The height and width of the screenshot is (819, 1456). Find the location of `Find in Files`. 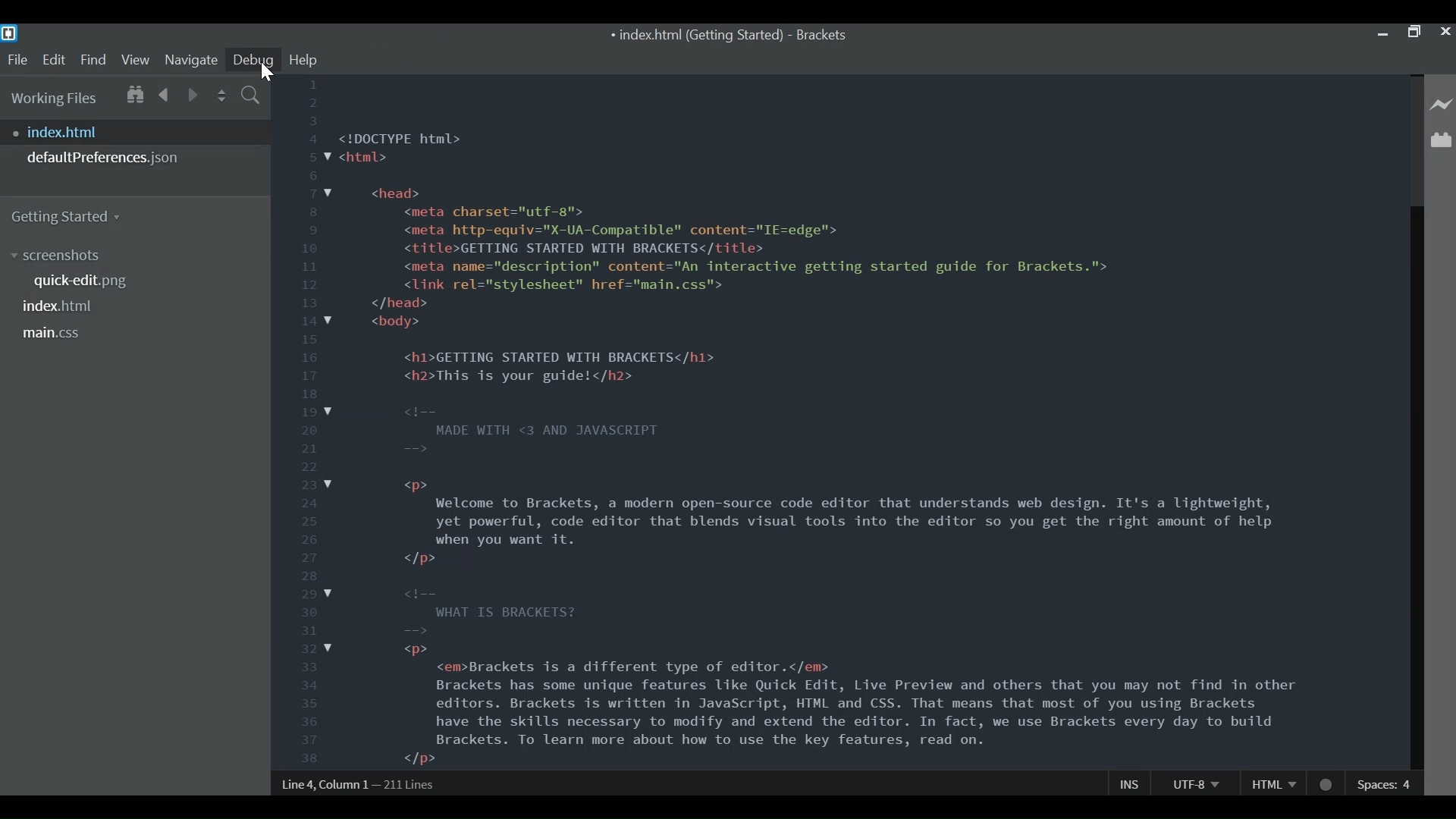

Find in Files is located at coordinates (252, 97).